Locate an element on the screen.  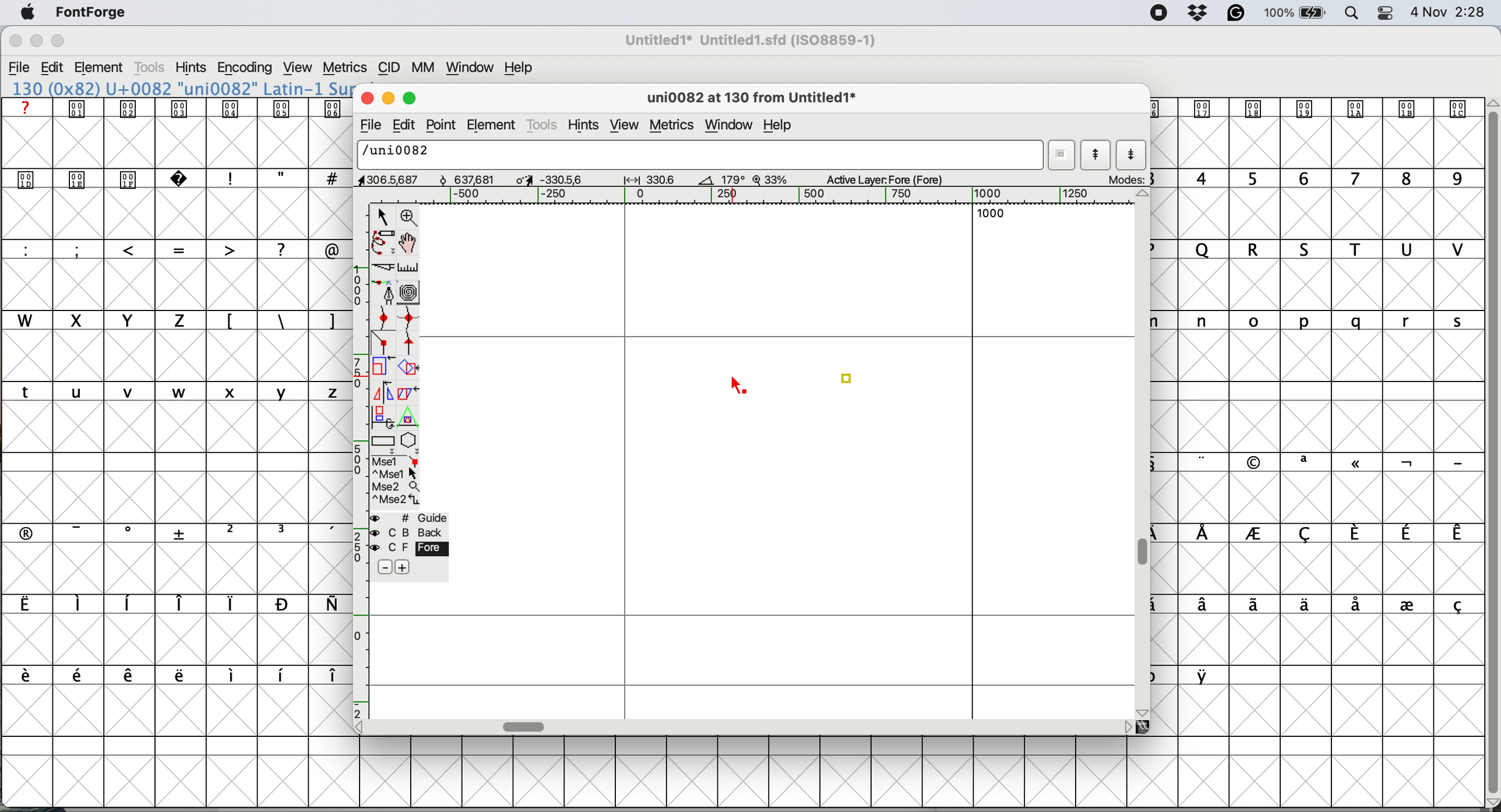
vertical scroll bar is located at coordinates (1491, 448).